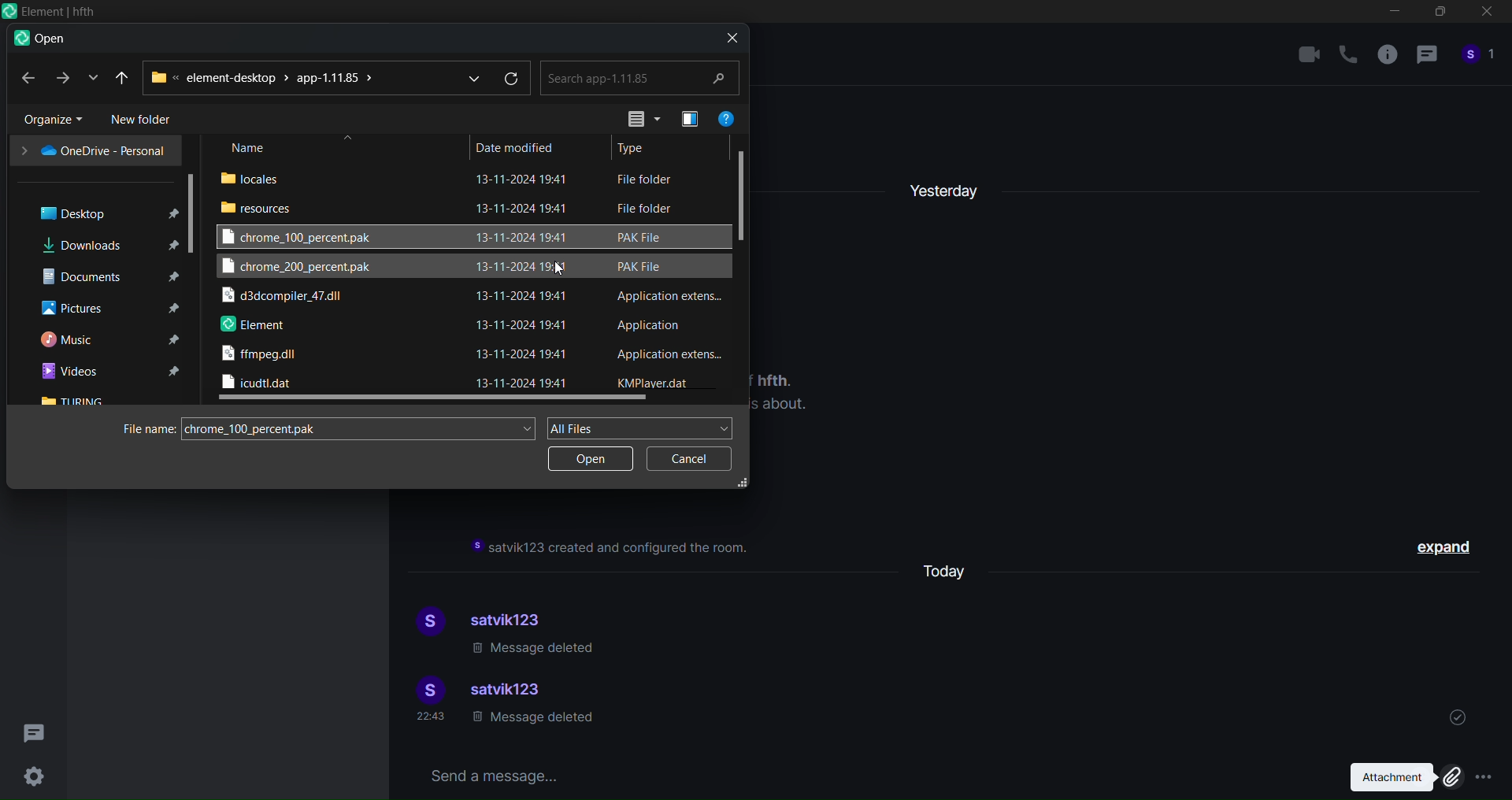 Image resolution: width=1512 pixels, height=800 pixels. What do you see at coordinates (535, 650) in the screenshot?
I see `message deleted` at bounding box center [535, 650].